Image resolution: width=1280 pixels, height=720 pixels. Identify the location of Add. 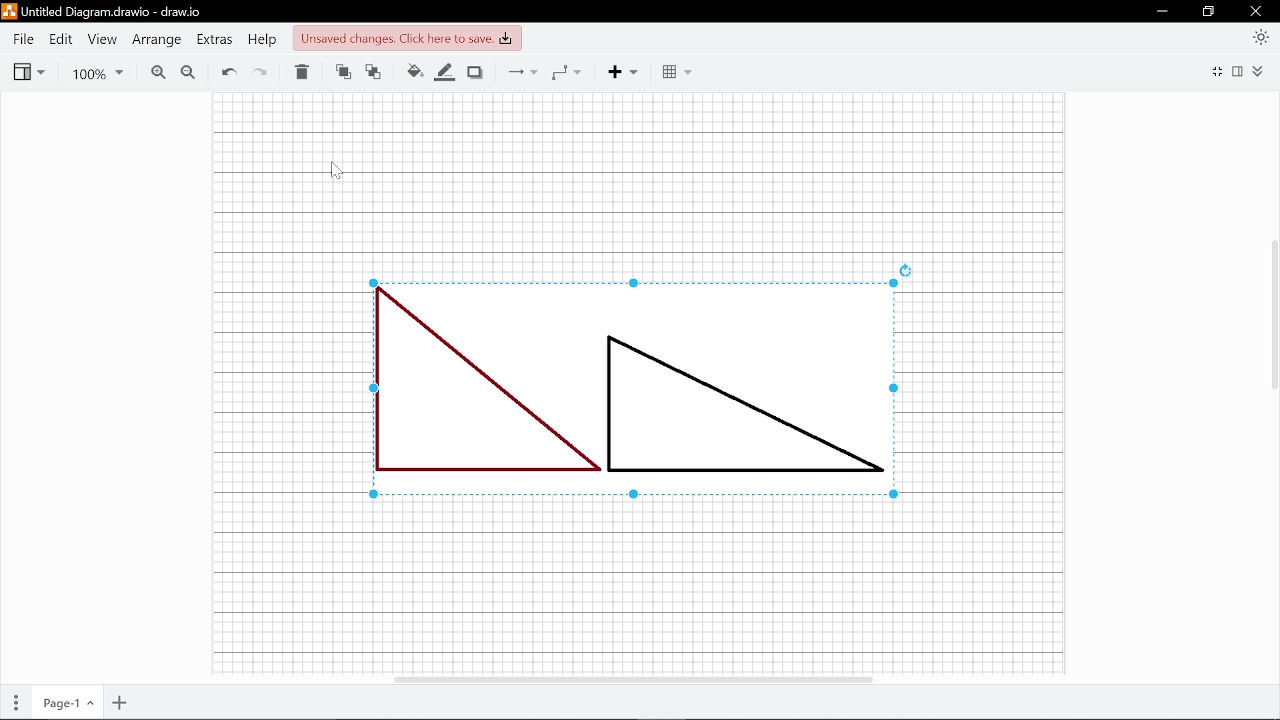
(619, 71).